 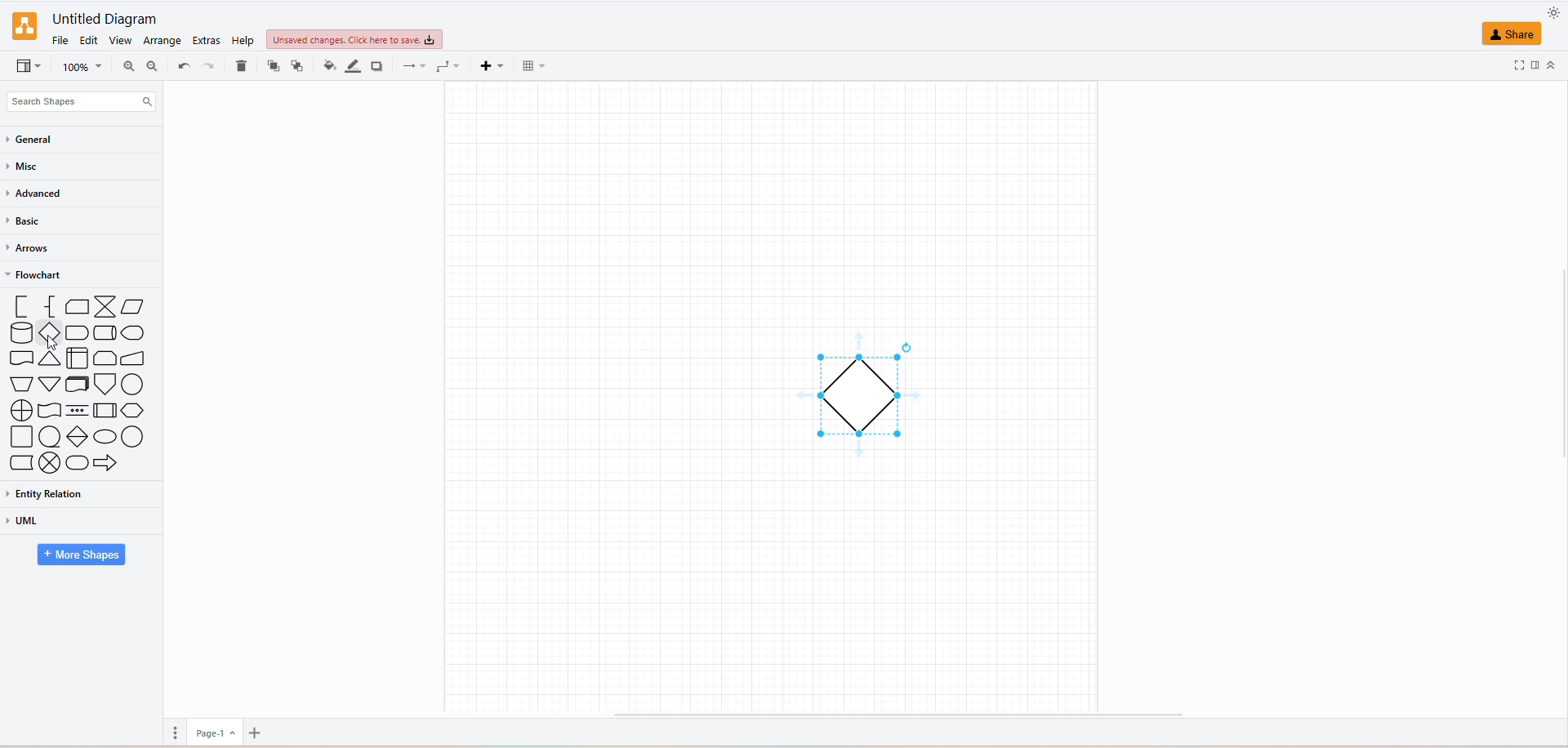 What do you see at coordinates (182, 65) in the screenshot?
I see `REDO` at bounding box center [182, 65].